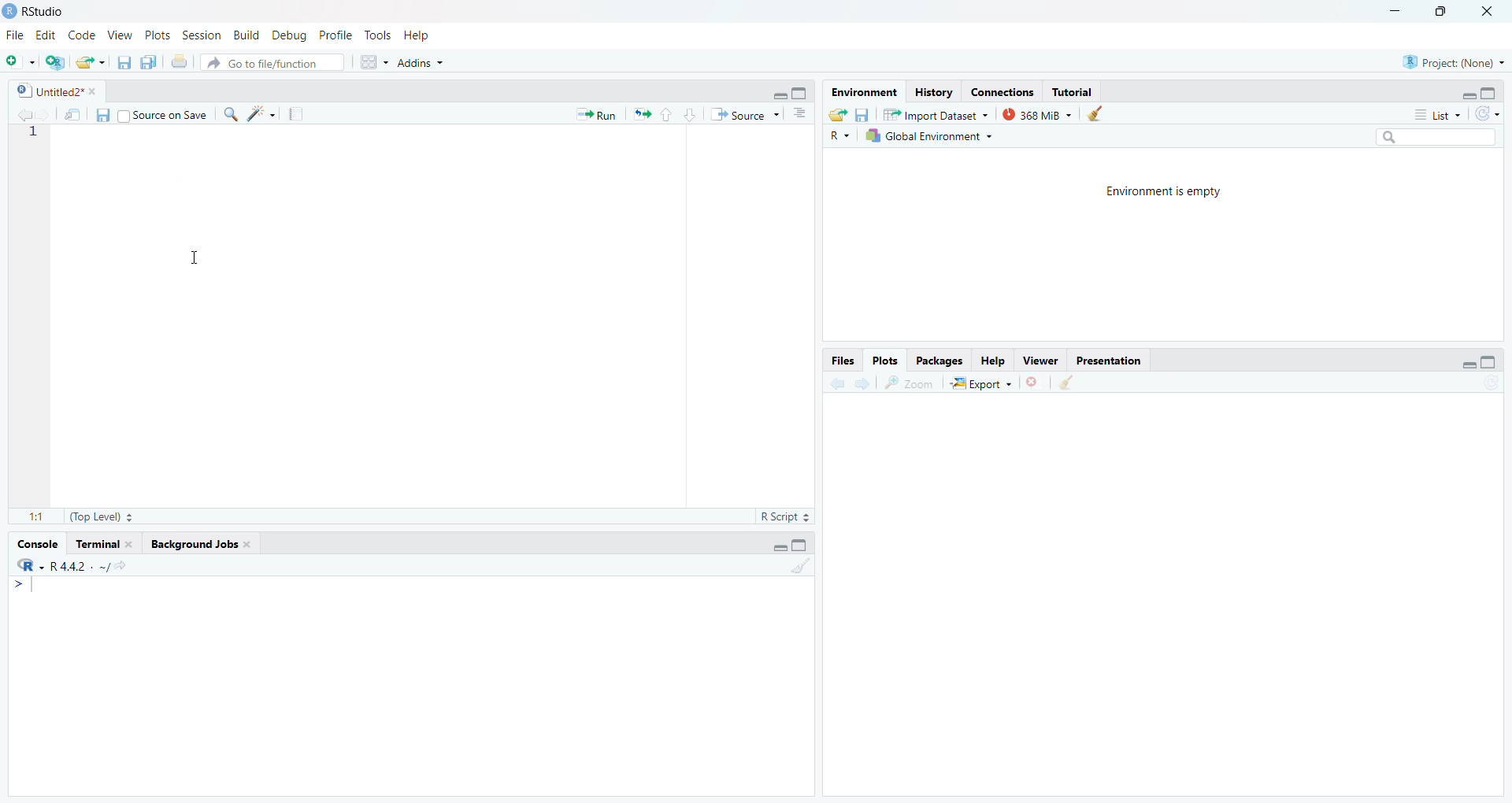 The height and width of the screenshot is (803, 1512). Describe the element at coordinates (1392, 9) in the screenshot. I see `minimise` at that location.